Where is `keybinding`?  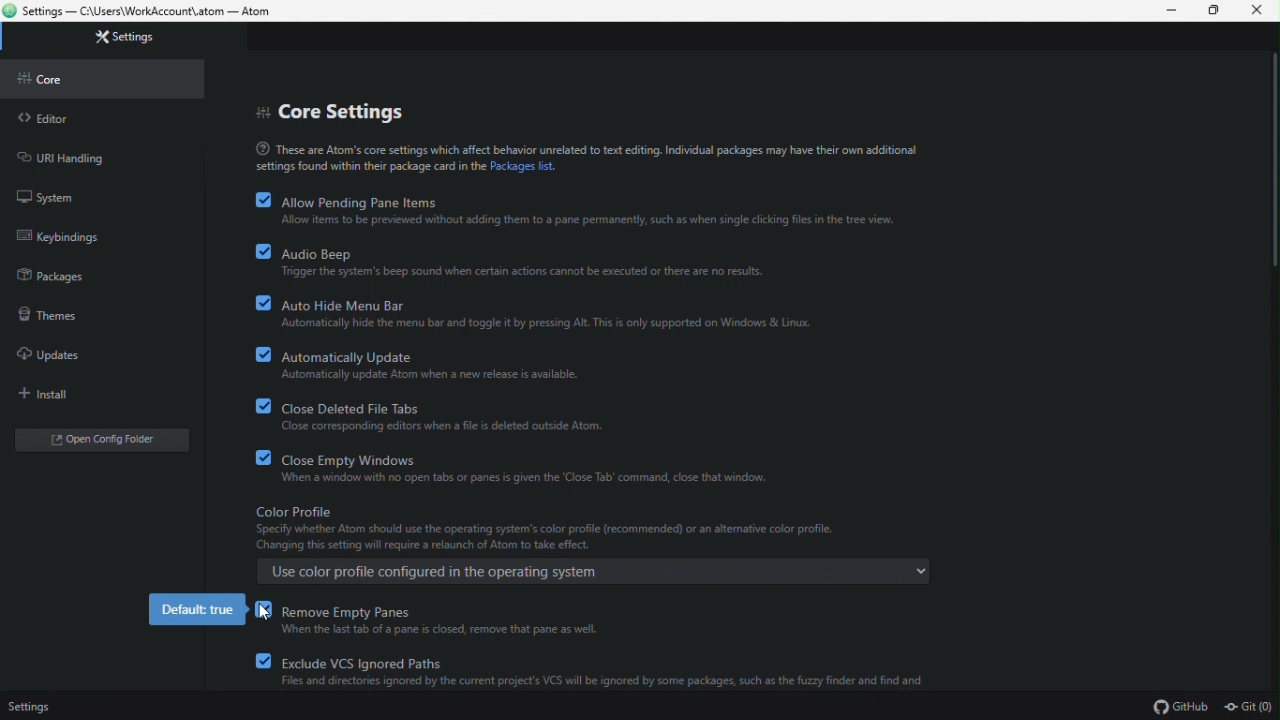
keybinding is located at coordinates (62, 236).